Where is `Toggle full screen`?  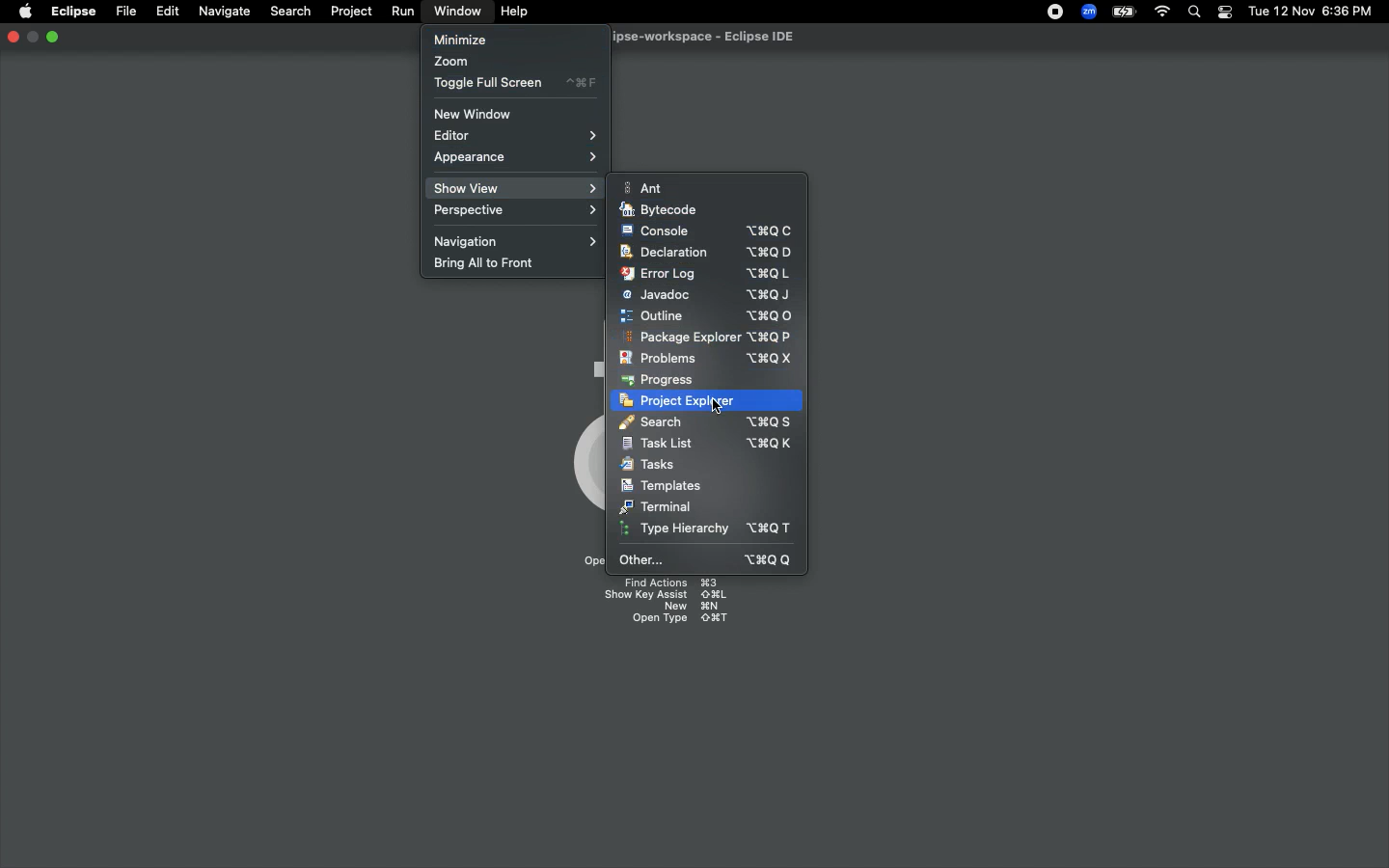
Toggle full screen is located at coordinates (515, 83).